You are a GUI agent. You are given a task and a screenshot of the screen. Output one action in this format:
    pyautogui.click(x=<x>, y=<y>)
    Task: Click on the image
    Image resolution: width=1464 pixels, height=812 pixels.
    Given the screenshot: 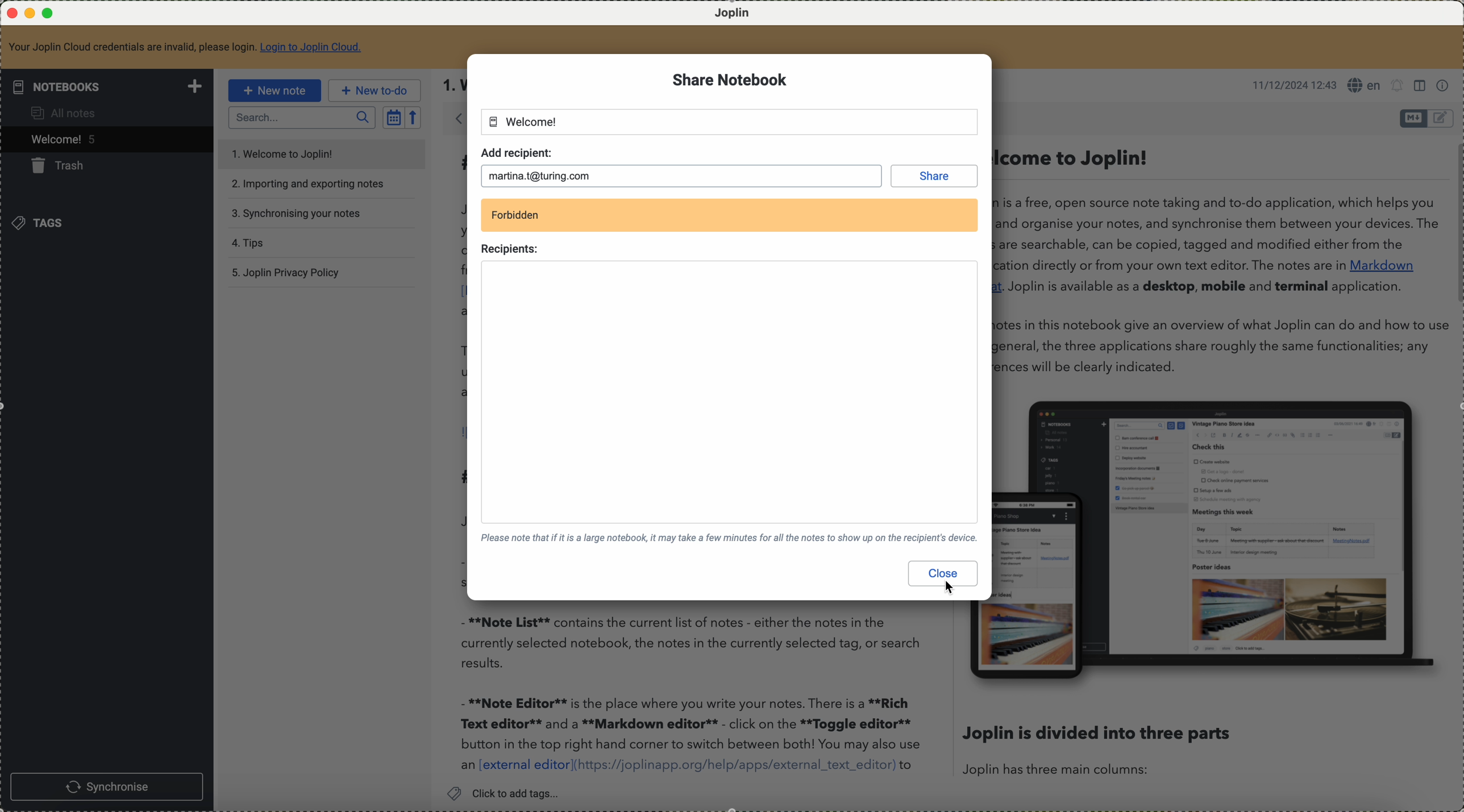 What is the action you would take?
    pyautogui.click(x=1222, y=538)
    